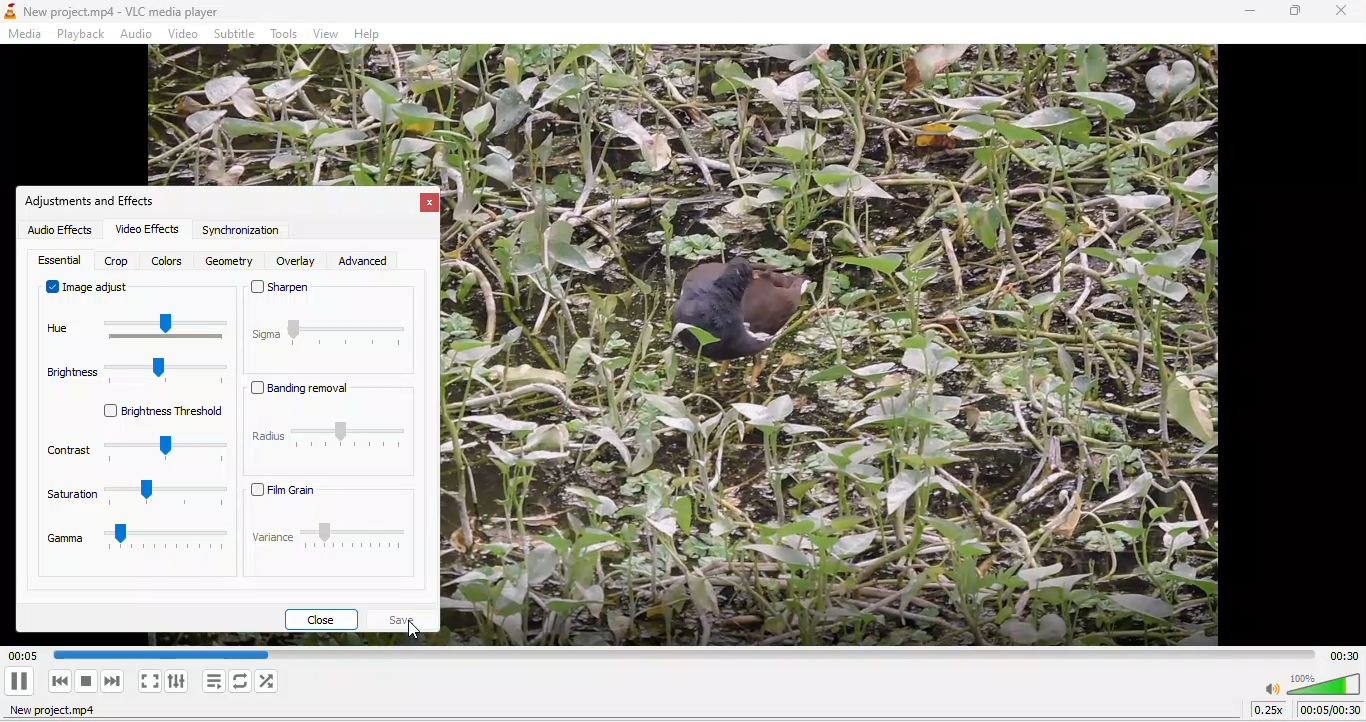 This screenshot has height=722, width=1366. What do you see at coordinates (179, 685) in the screenshot?
I see `show extended settings` at bounding box center [179, 685].